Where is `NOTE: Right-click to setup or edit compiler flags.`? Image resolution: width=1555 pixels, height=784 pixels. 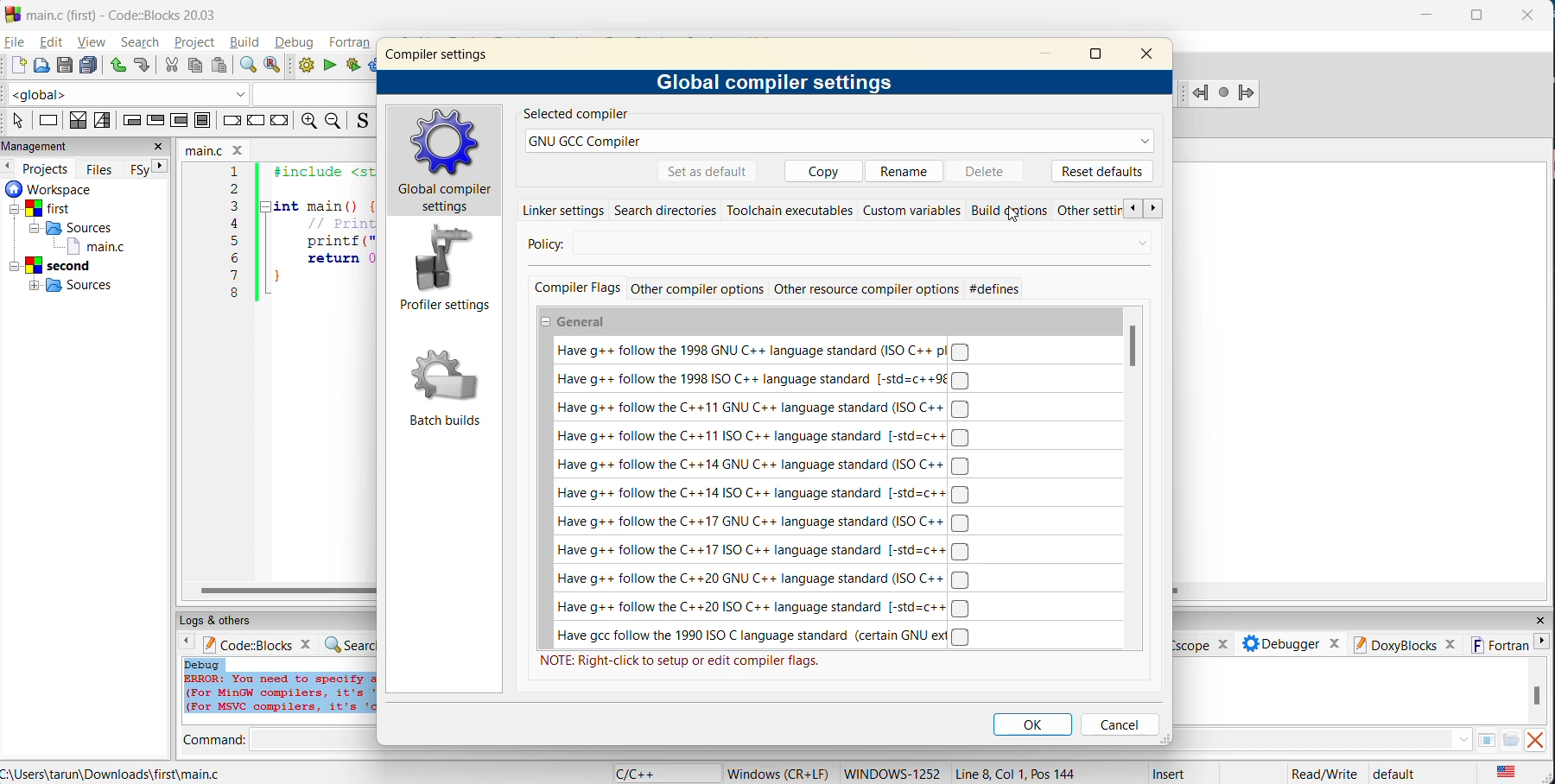 NOTE: Right-click to setup or edit compiler flags. is located at coordinates (683, 662).